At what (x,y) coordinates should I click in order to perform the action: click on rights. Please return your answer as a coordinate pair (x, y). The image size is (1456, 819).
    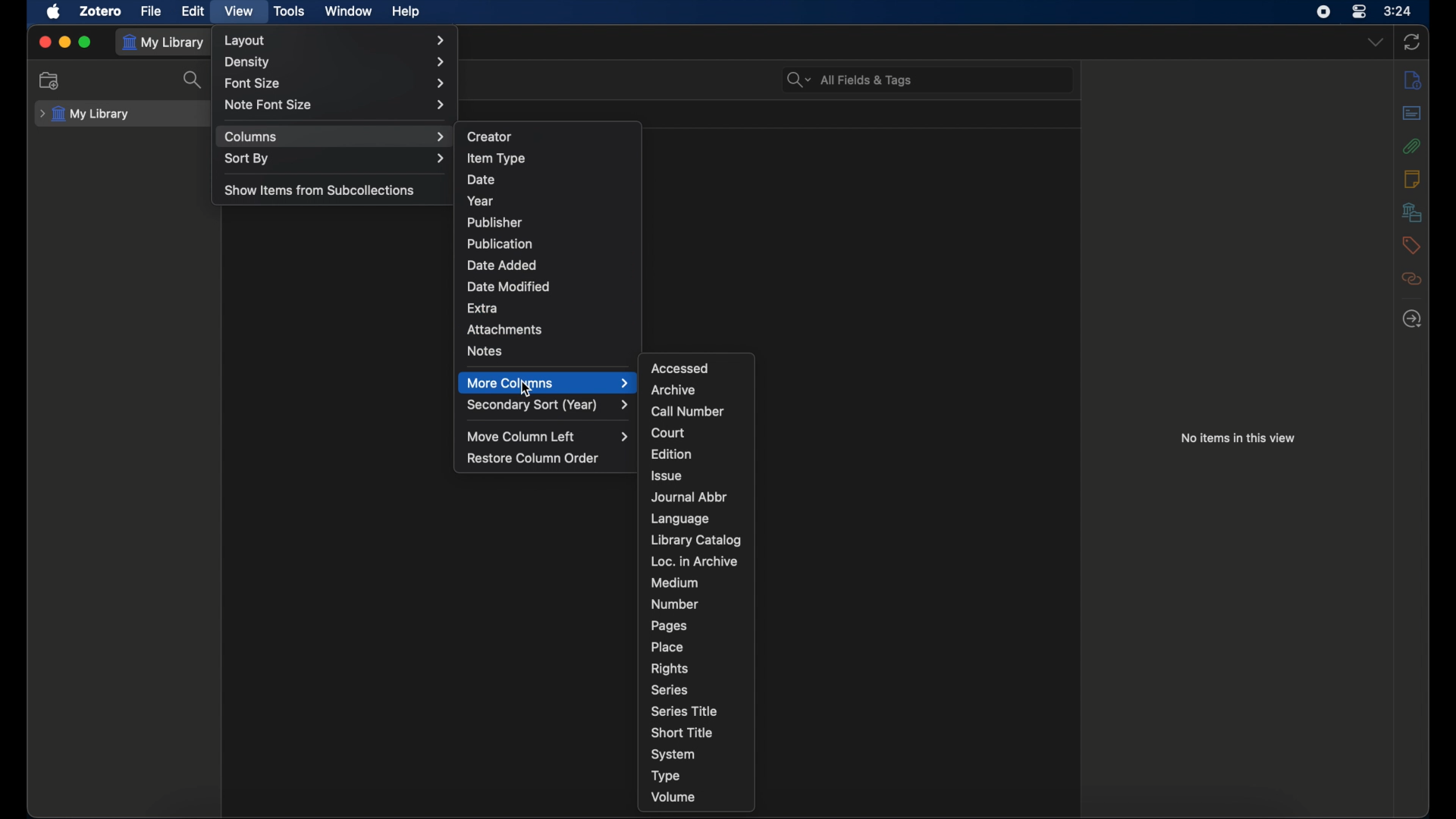
    Looking at the image, I should click on (669, 669).